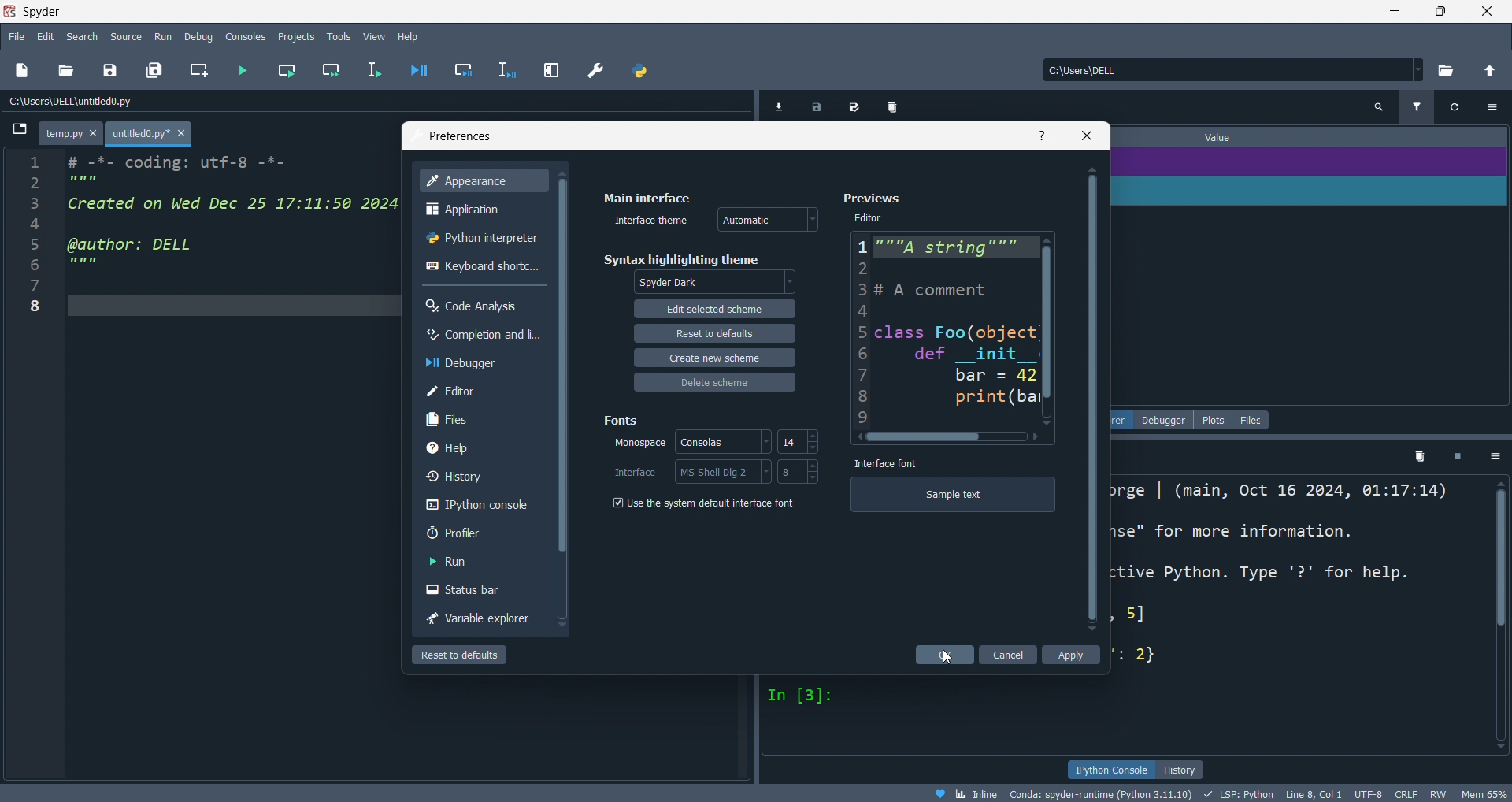  What do you see at coordinates (409, 36) in the screenshot?
I see `help` at bounding box center [409, 36].